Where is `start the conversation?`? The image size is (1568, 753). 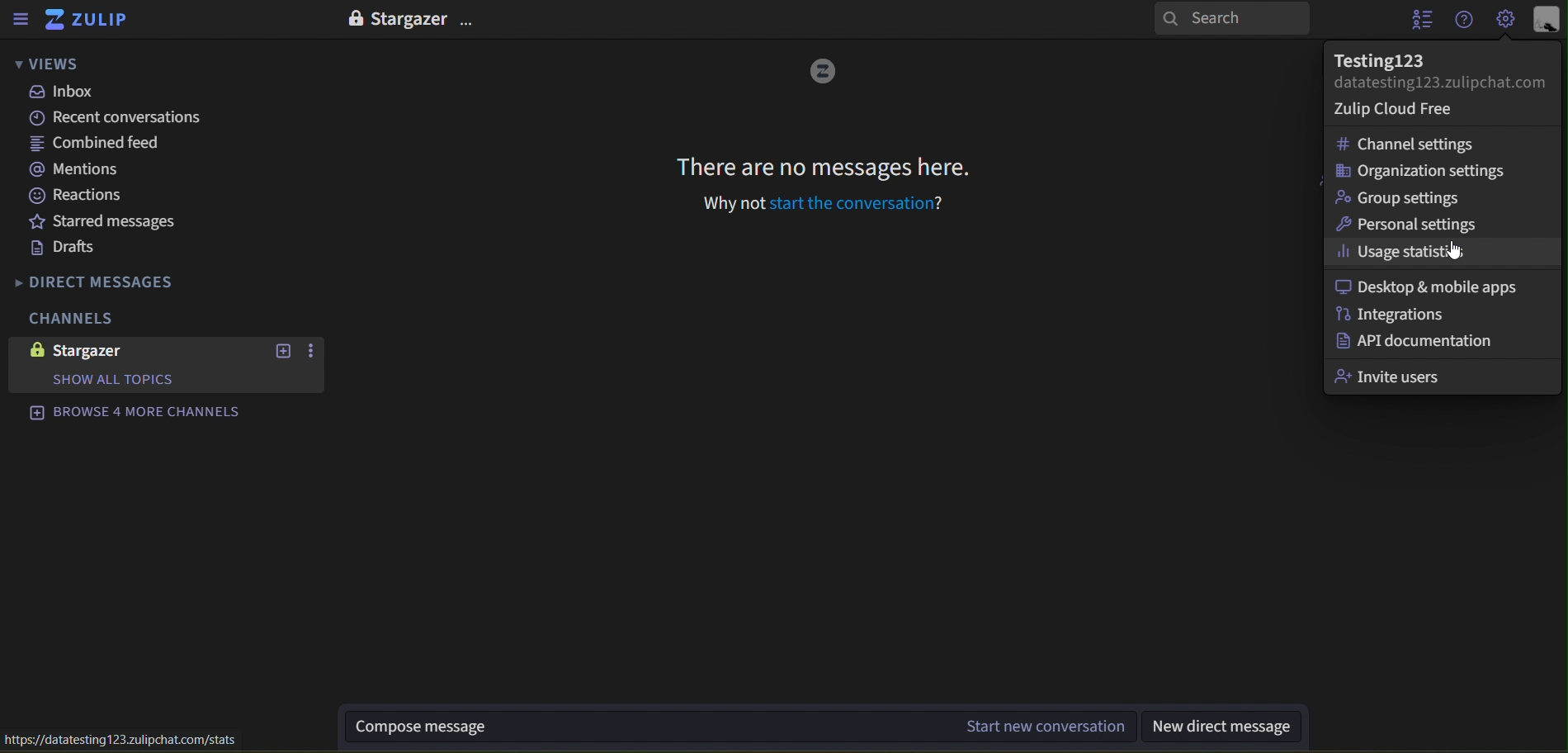
start the conversation? is located at coordinates (865, 206).